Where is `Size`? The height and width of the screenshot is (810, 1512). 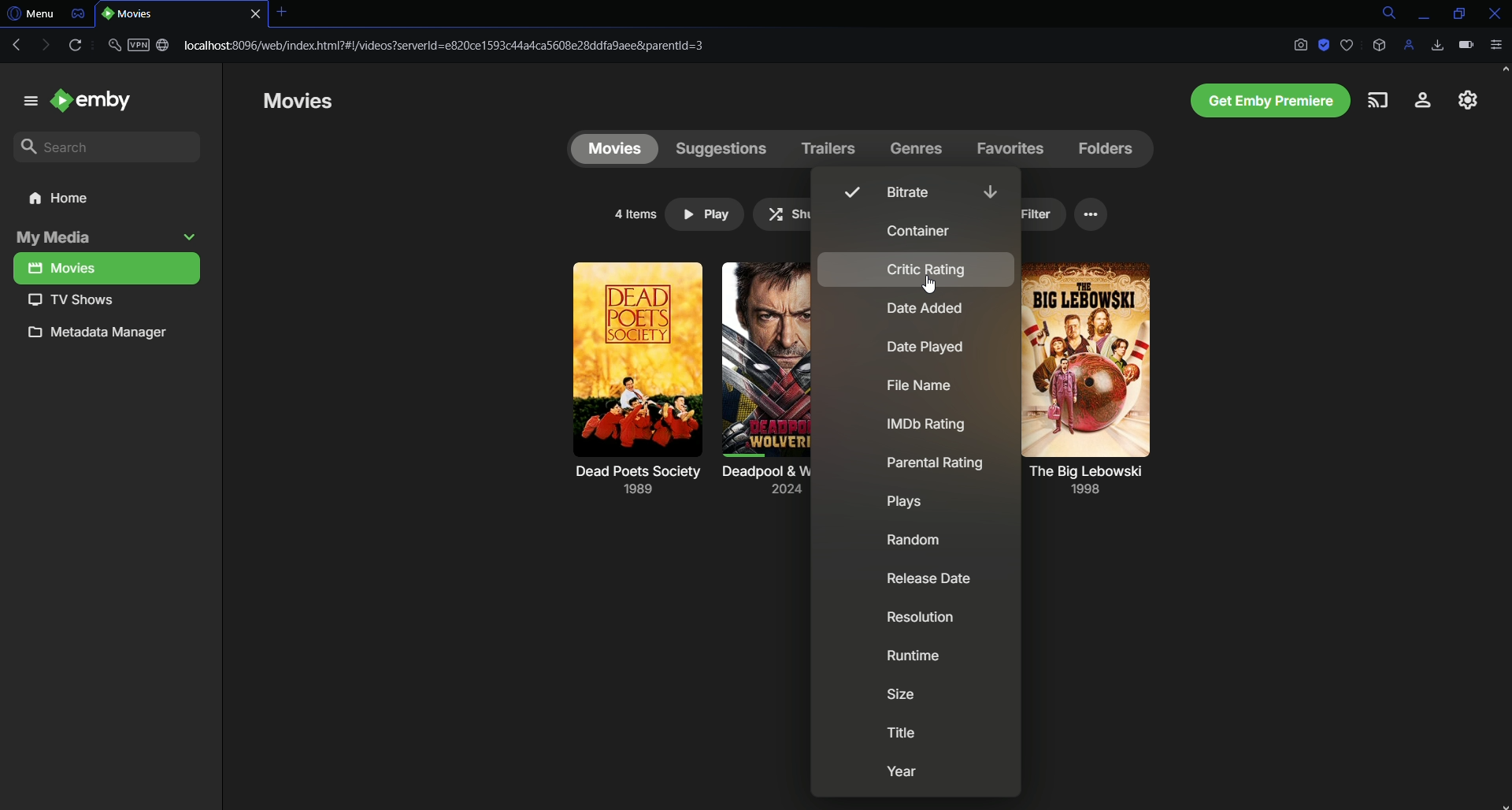 Size is located at coordinates (906, 700).